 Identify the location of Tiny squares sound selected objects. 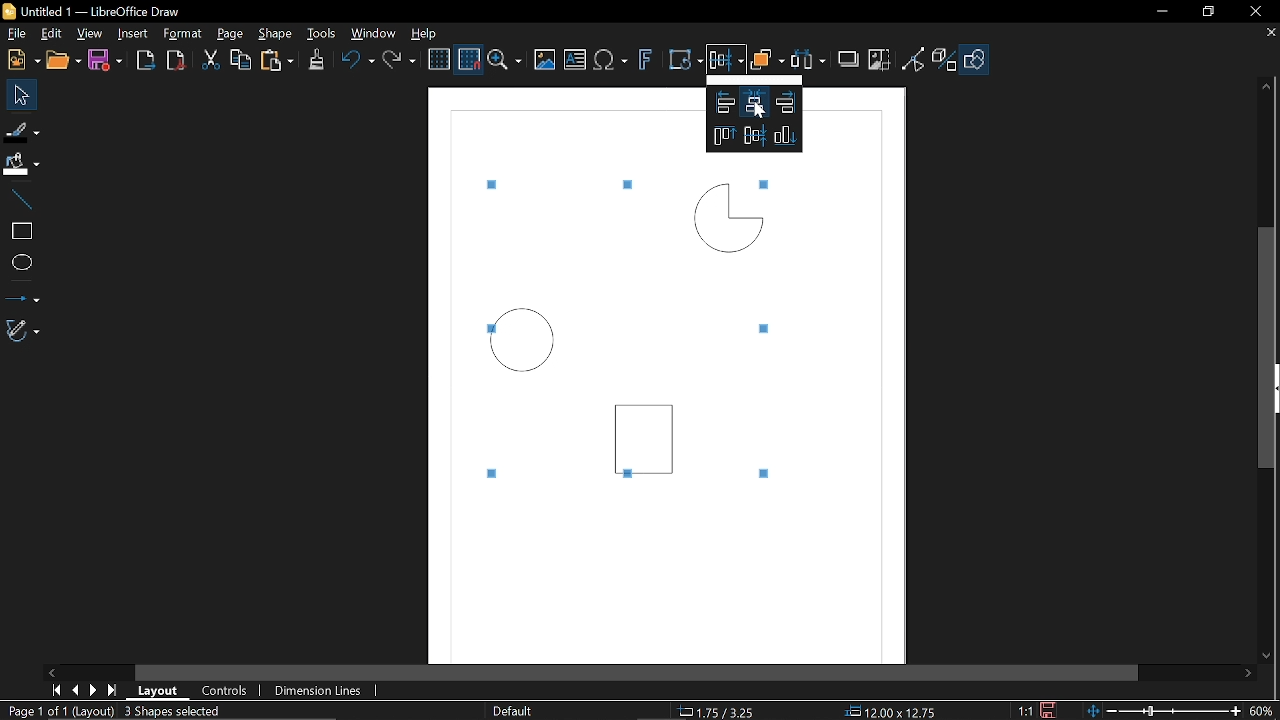
(764, 475).